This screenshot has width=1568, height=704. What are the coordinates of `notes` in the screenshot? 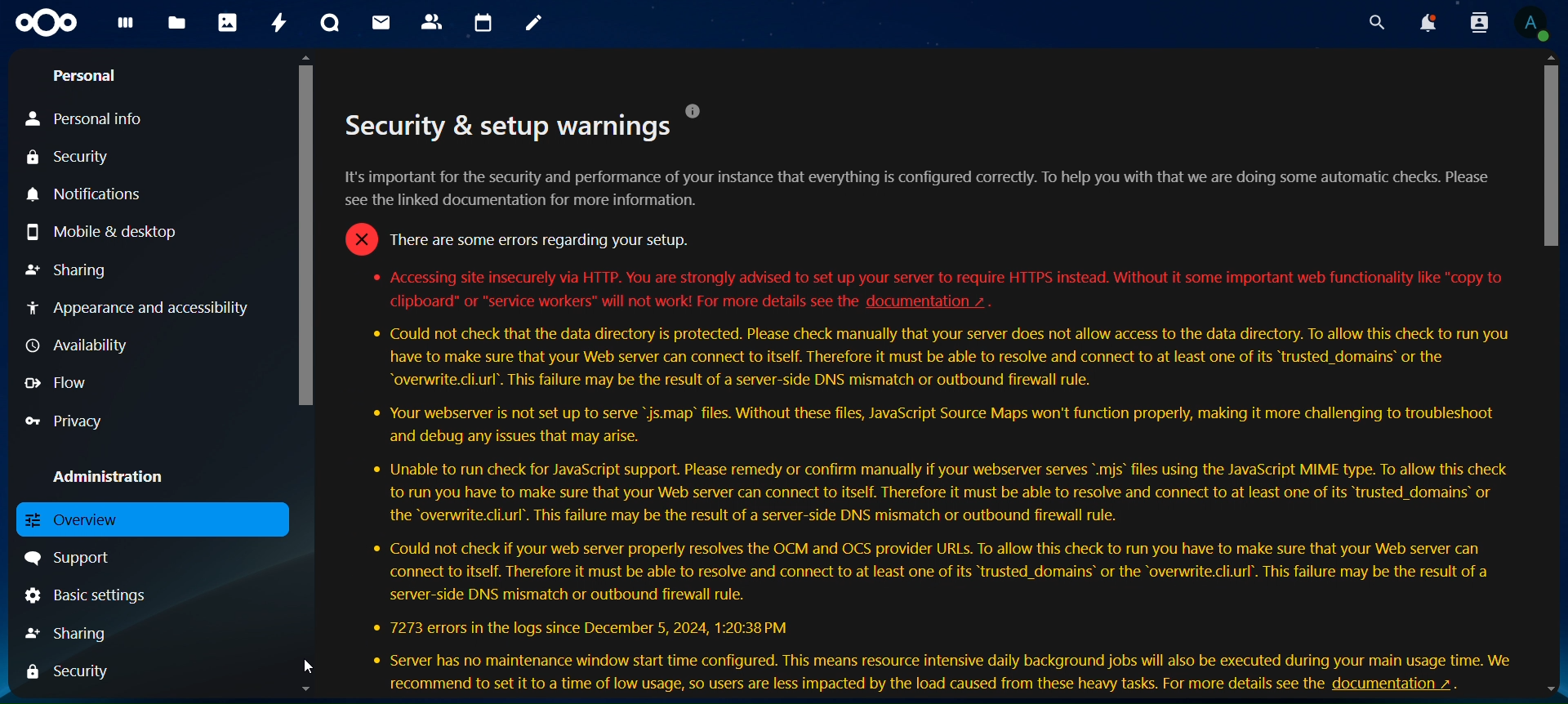 It's located at (535, 24).